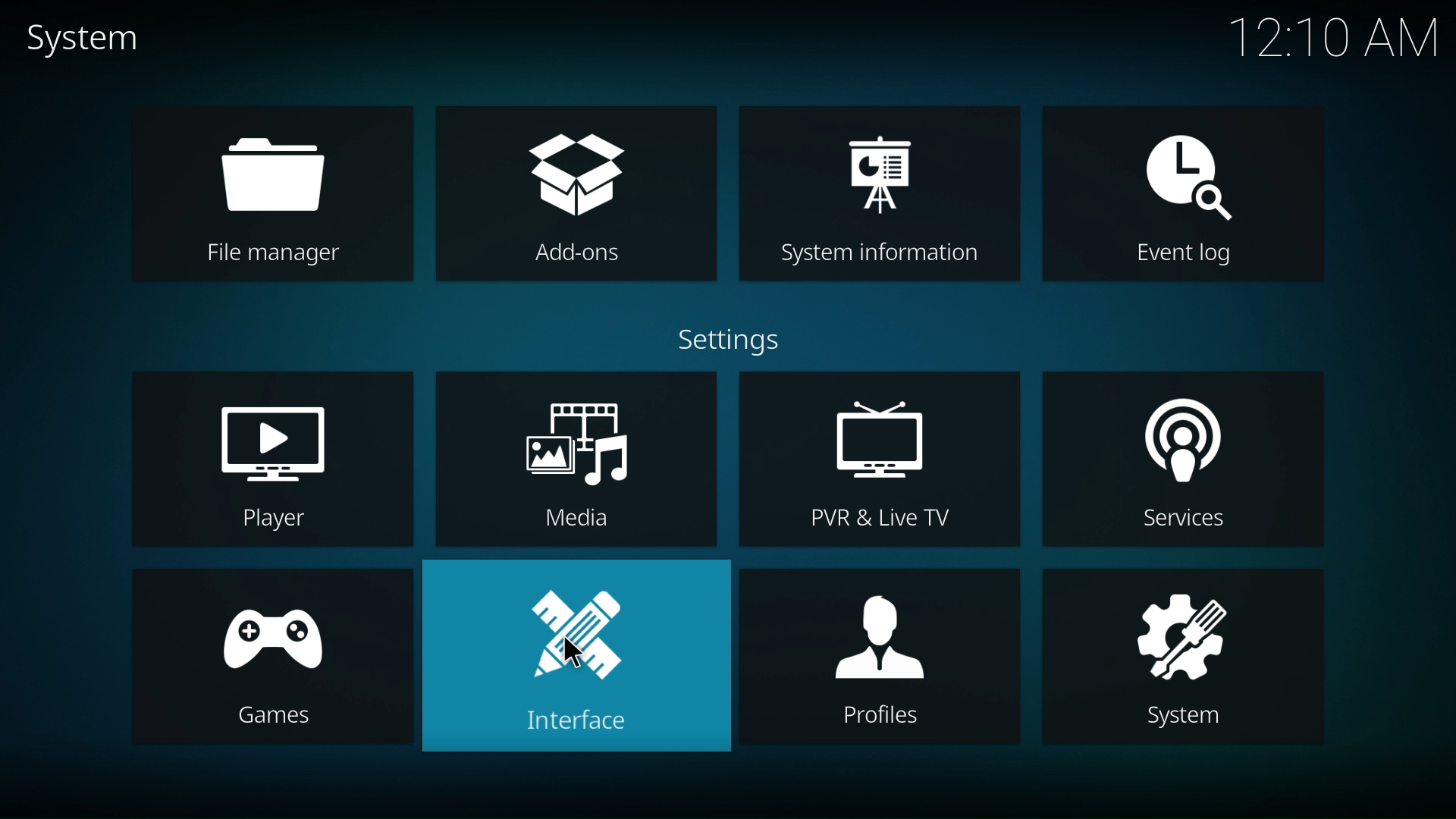  Describe the element at coordinates (268, 191) in the screenshot. I see `file manager` at that location.